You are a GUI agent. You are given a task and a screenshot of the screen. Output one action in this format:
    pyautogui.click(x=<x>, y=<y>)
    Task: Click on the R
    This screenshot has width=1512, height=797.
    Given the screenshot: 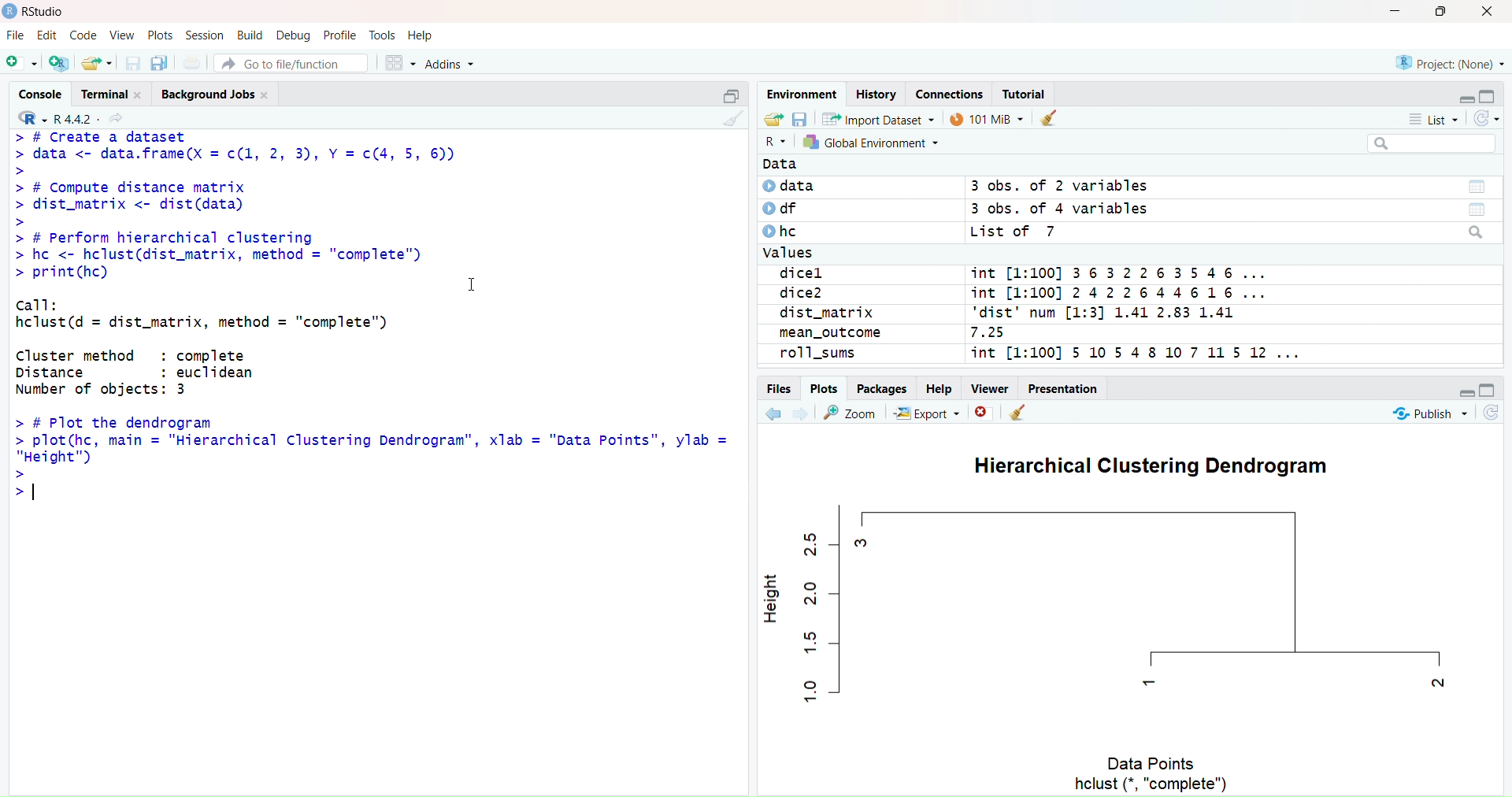 What is the action you would take?
    pyautogui.click(x=774, y=142)
    